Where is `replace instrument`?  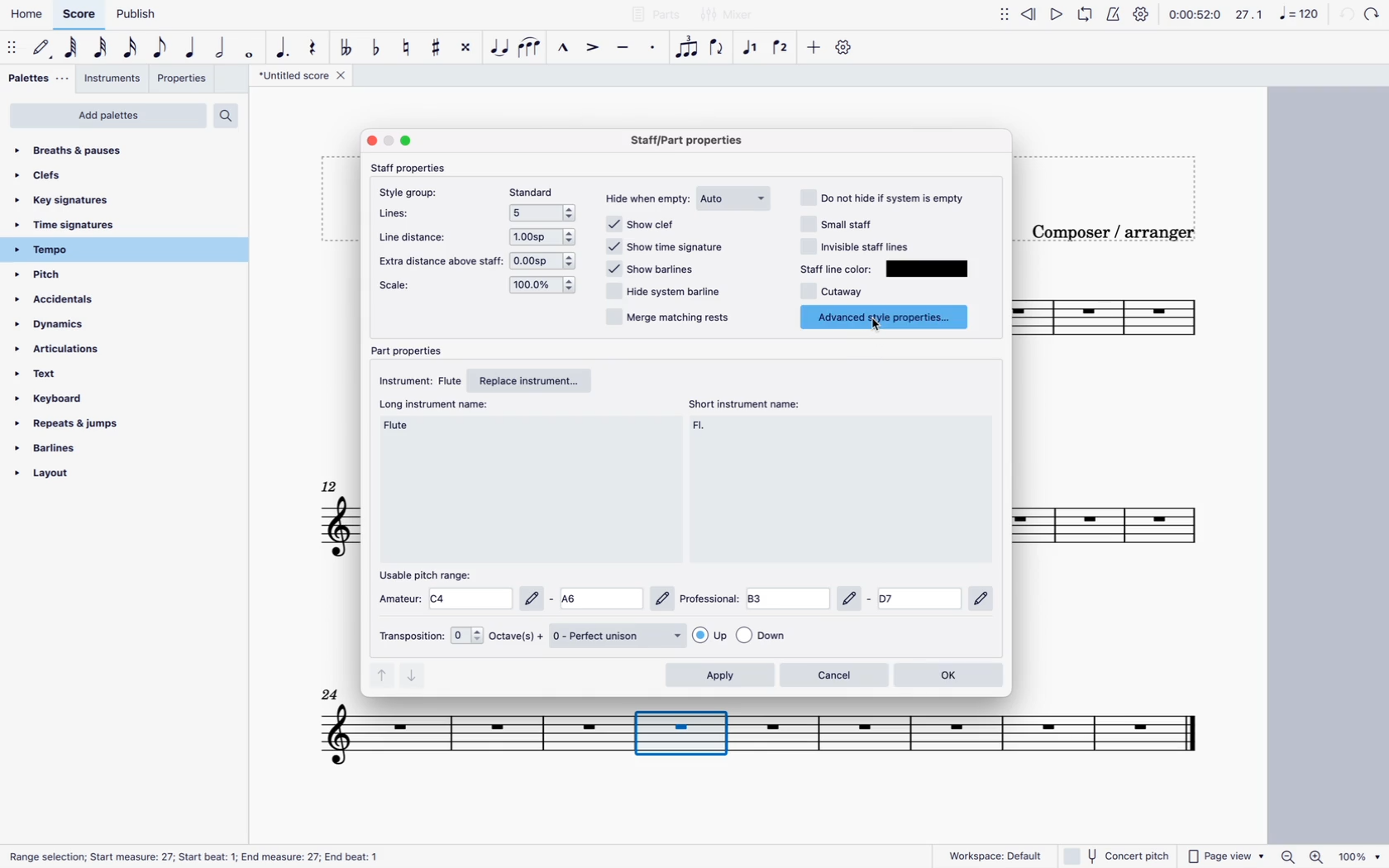 replace instrument is located at coordinates (537, 380).